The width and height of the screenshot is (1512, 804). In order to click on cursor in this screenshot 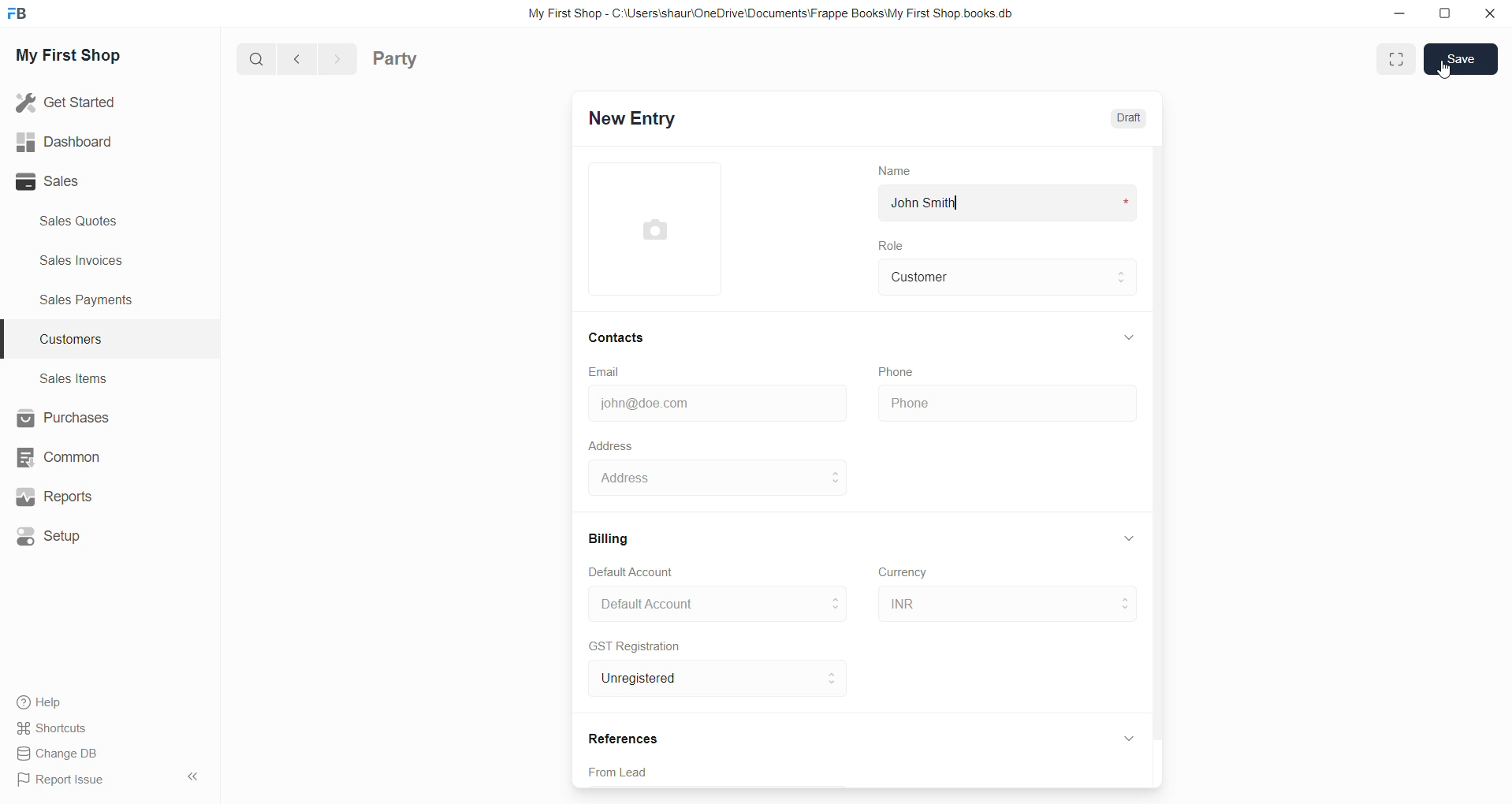, I will do `click(846, 553)`.